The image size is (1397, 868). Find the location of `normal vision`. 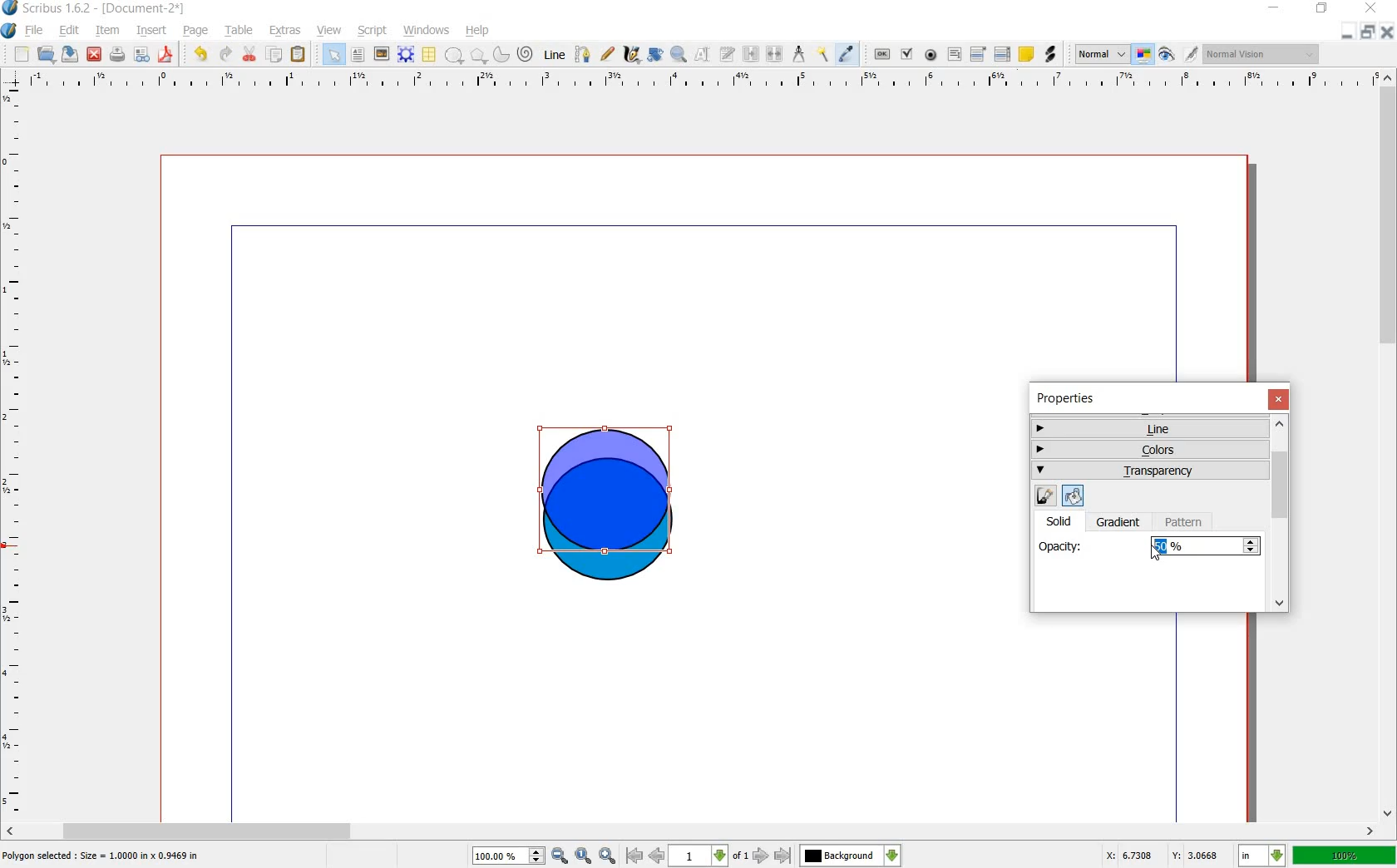

normal vision is located at coordinates (1261, 55).